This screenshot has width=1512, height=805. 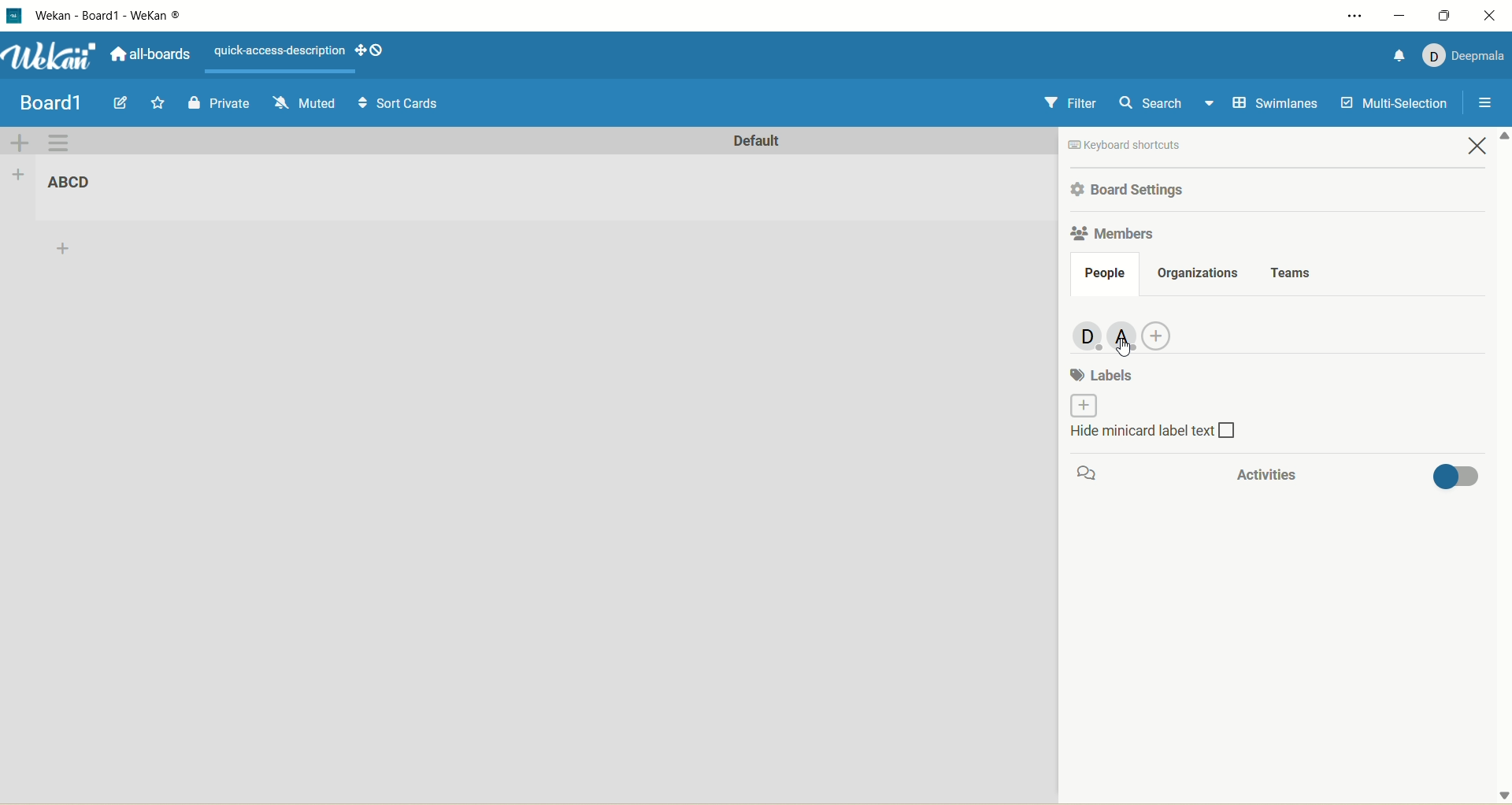 I want to click on Start, so click(x=160, y=102).